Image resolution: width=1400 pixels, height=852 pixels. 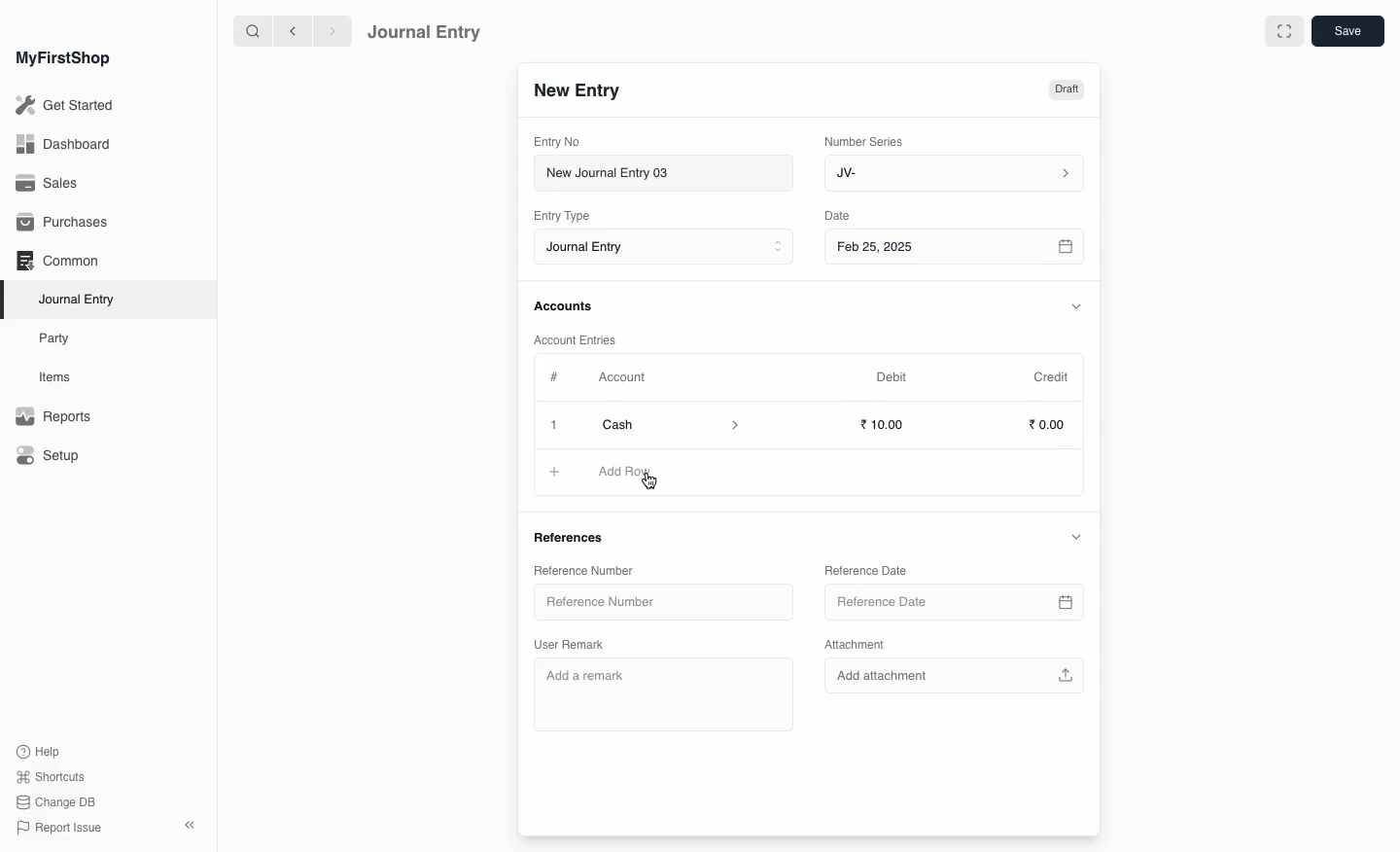 I want to click on Sales, so click(x=48, y=185).